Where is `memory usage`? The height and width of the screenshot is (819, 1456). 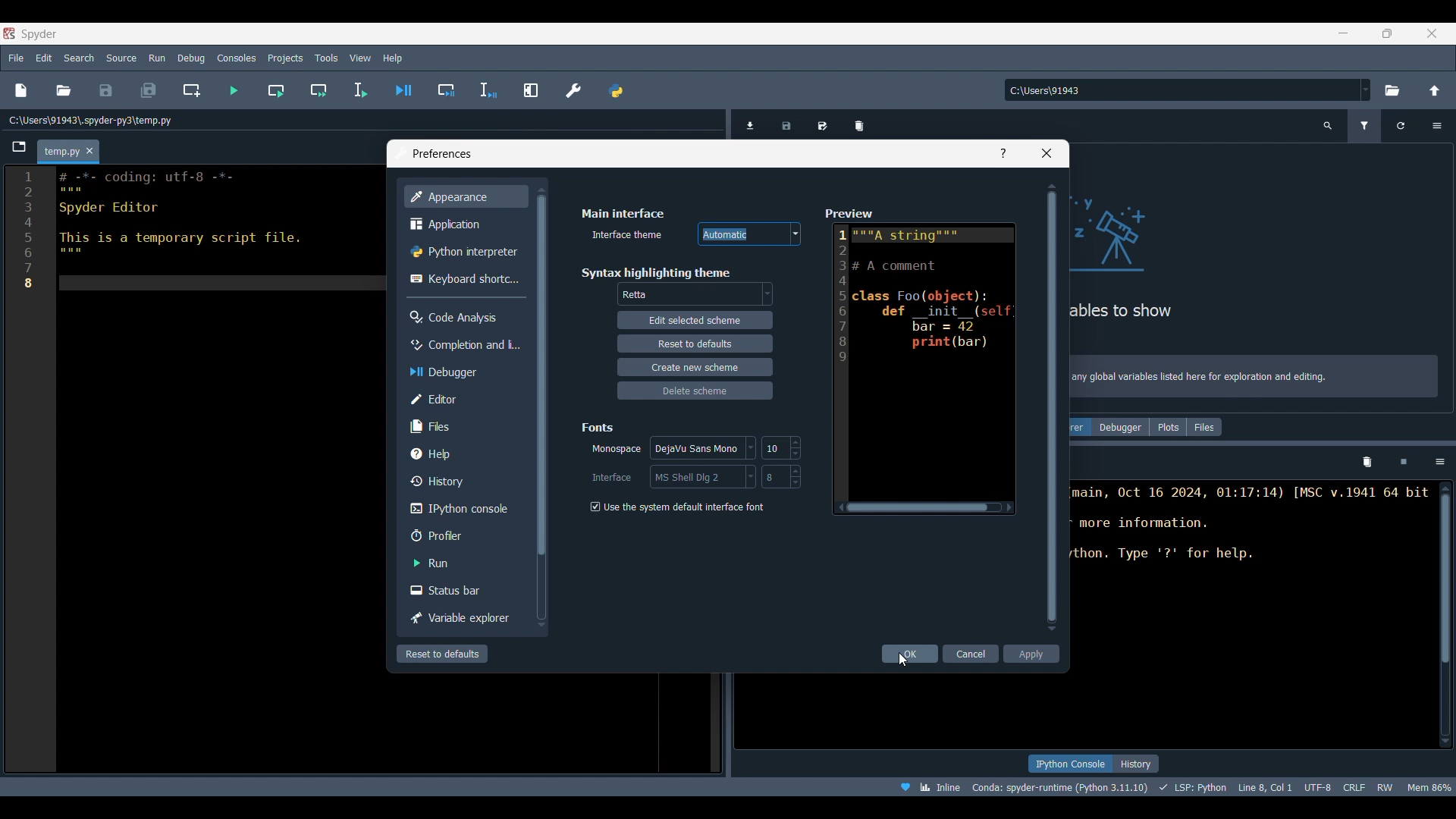 memory usage is located at coordinates (1429, 786).